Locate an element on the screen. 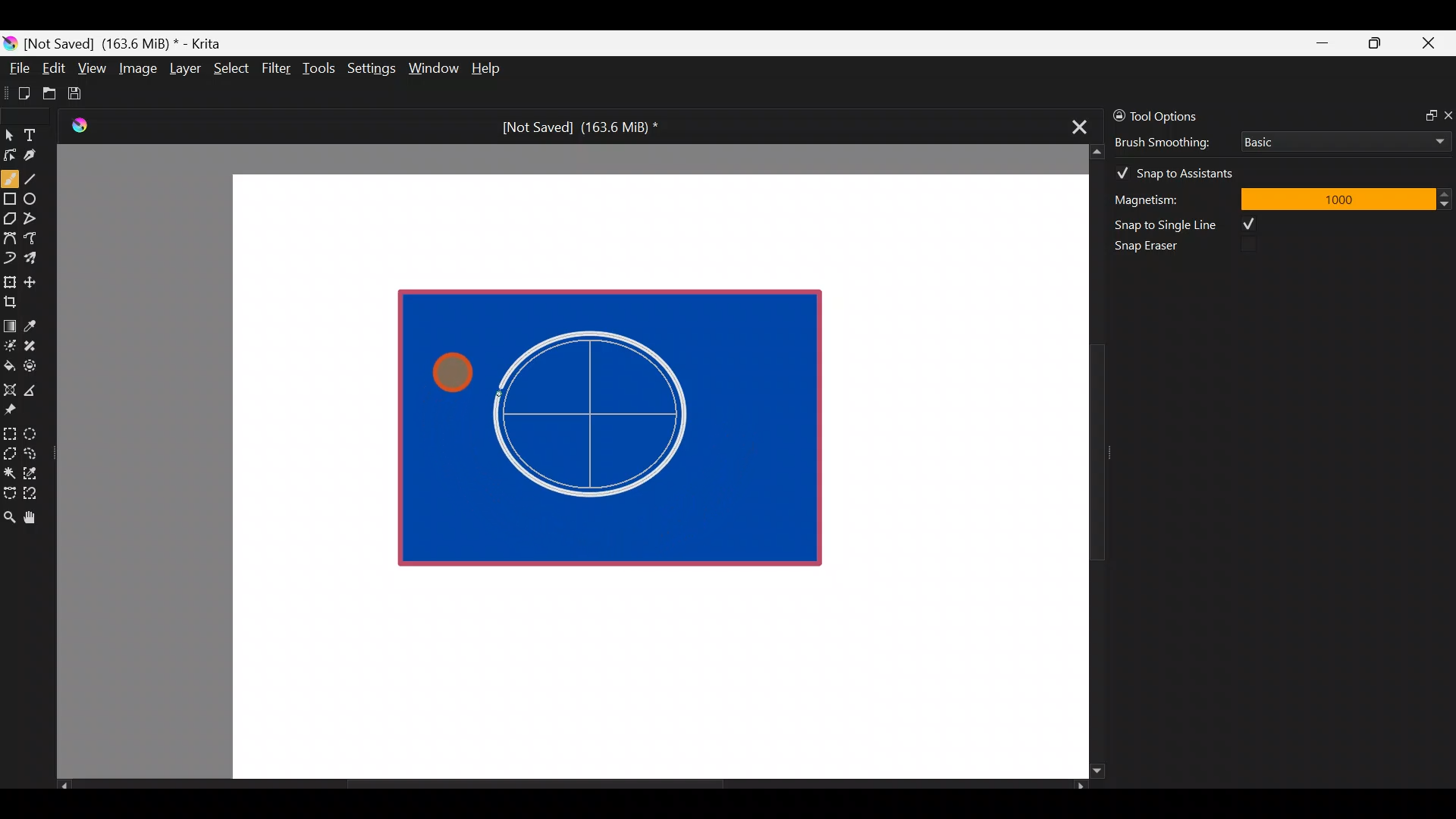 This screenshot has width=1456, height=819. Contiguous selection tool is located at coordinates (9, 469).